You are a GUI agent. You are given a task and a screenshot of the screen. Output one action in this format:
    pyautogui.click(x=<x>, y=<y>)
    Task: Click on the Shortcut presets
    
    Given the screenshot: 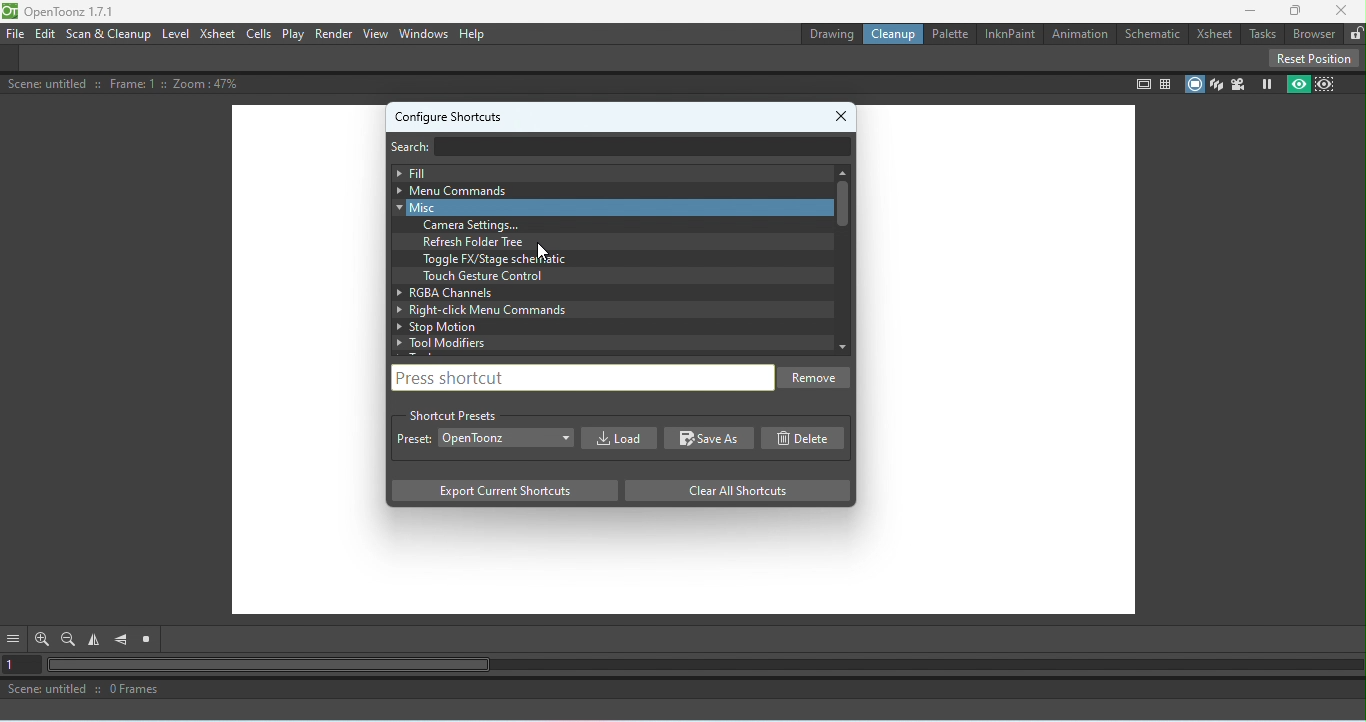 What is the action you would take?
    pyautogui.click(x=453, y=413)
    